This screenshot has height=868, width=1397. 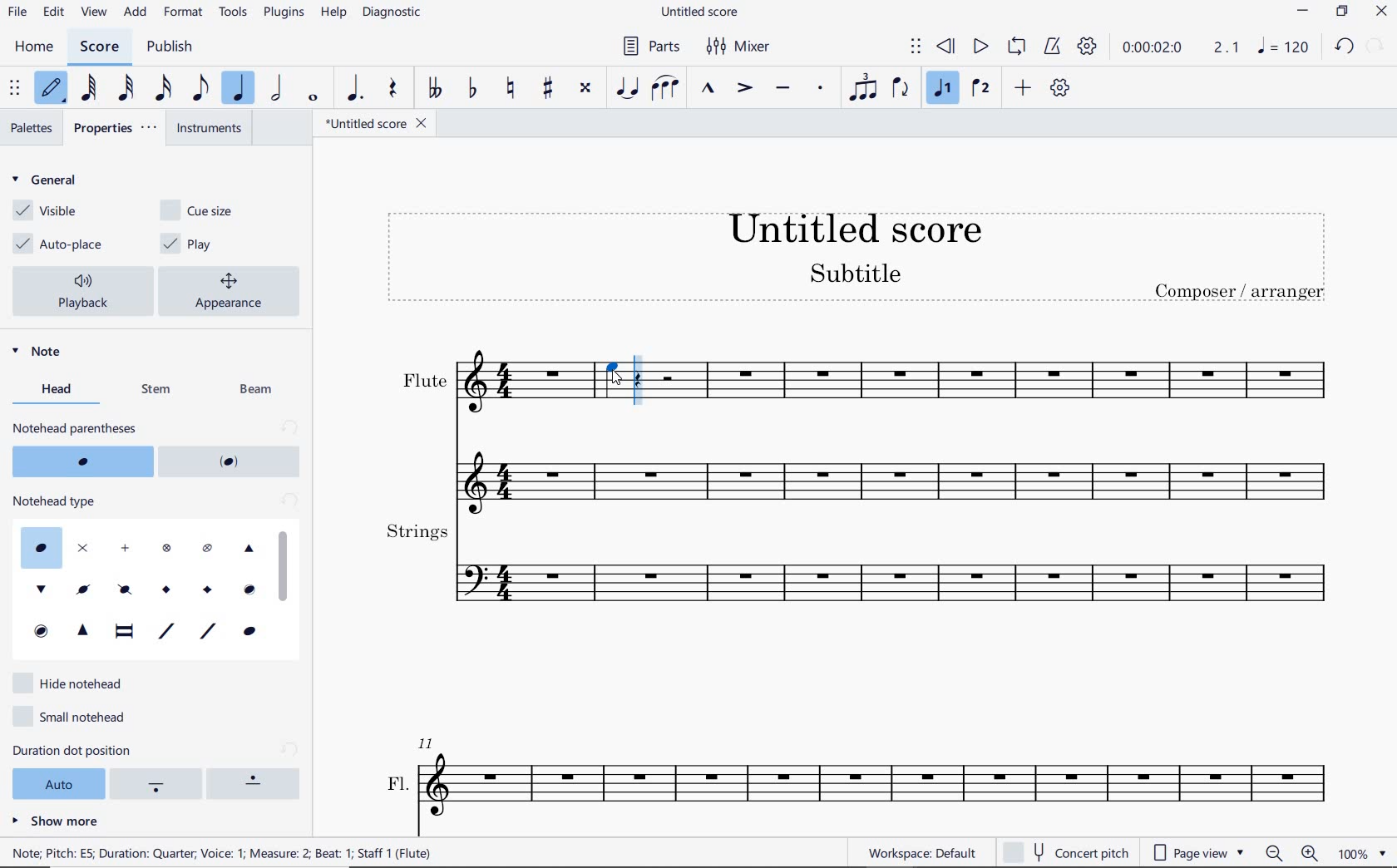 I want to click on TOGGLE NATURAL, so click(x=512, y=87).